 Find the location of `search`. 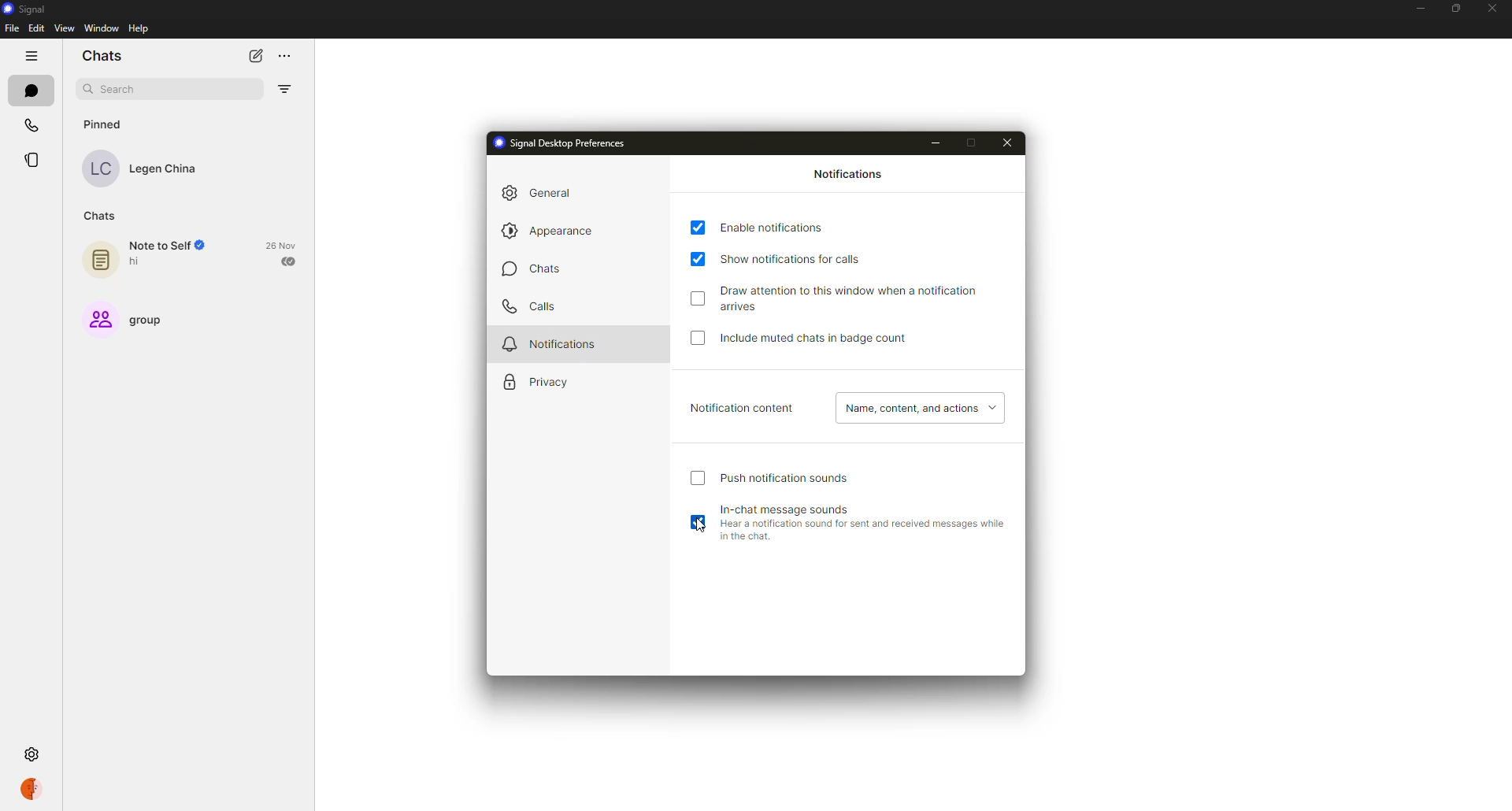

search is located at coordinates (121, 89).